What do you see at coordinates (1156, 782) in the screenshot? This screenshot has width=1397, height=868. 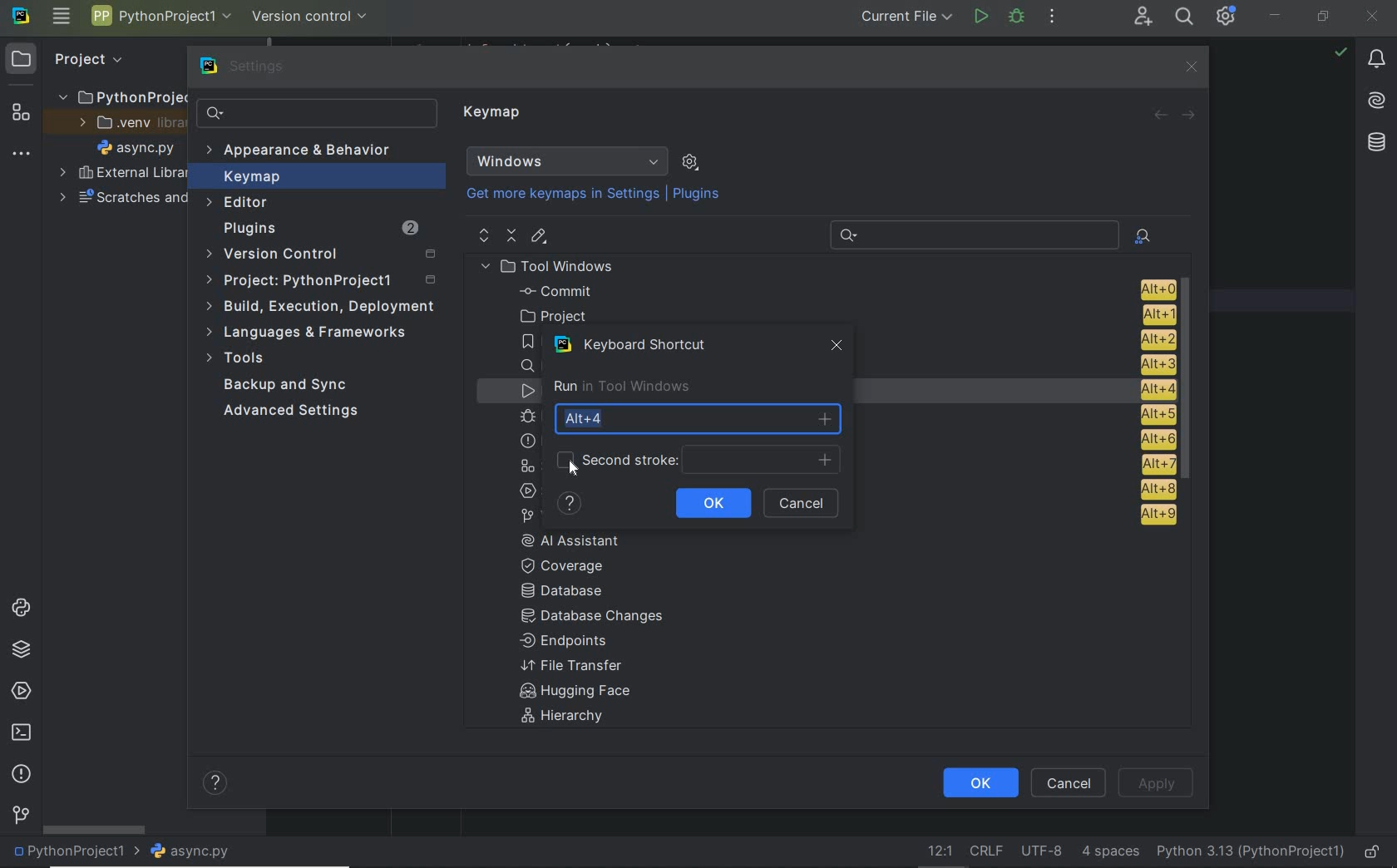 I see `Apply` at bounding box center [1156, 782].